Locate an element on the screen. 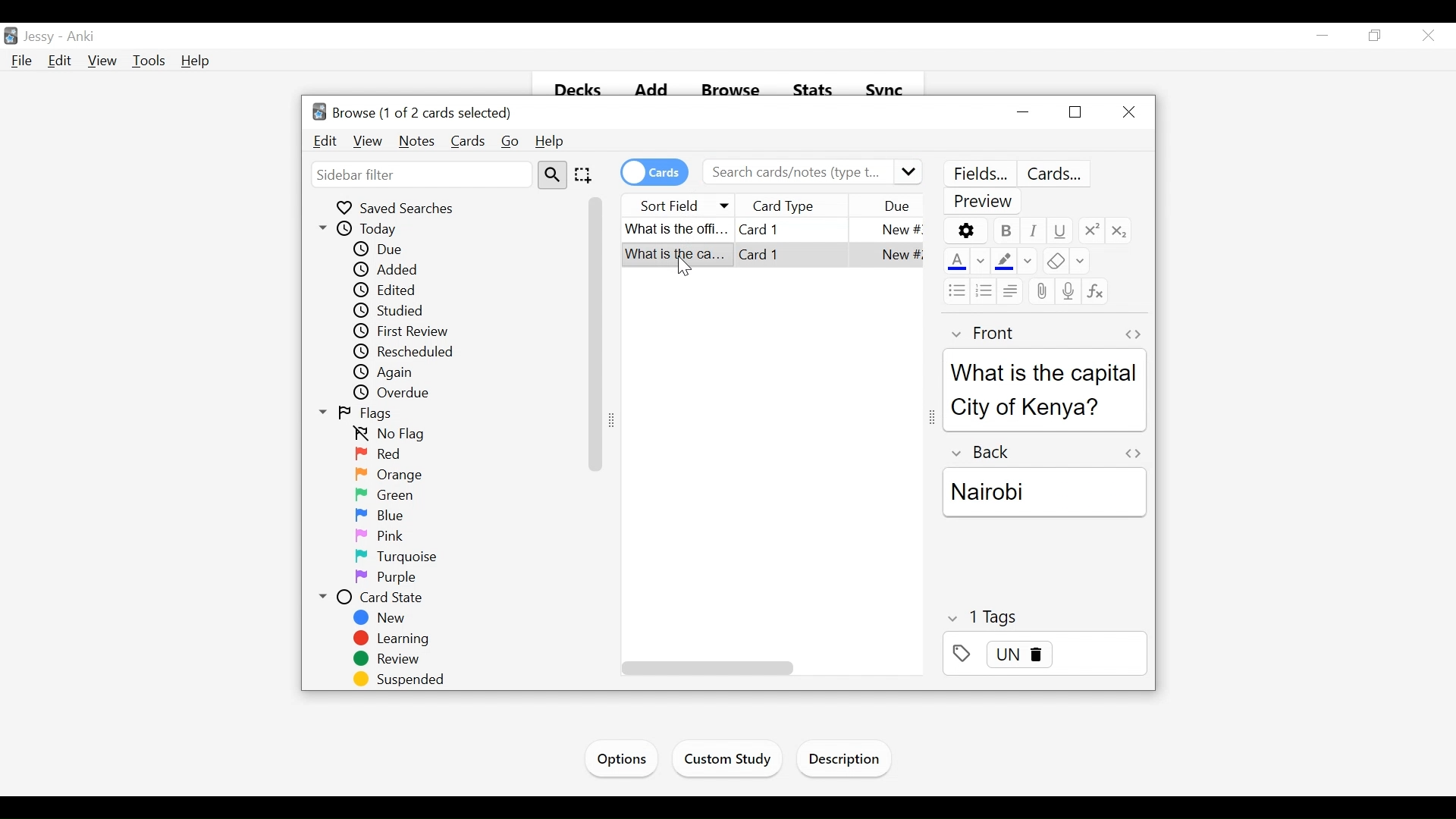 Image resolution: width=1456 pixels, height=819 pixels. Change color is located at coordinates (981, 262).